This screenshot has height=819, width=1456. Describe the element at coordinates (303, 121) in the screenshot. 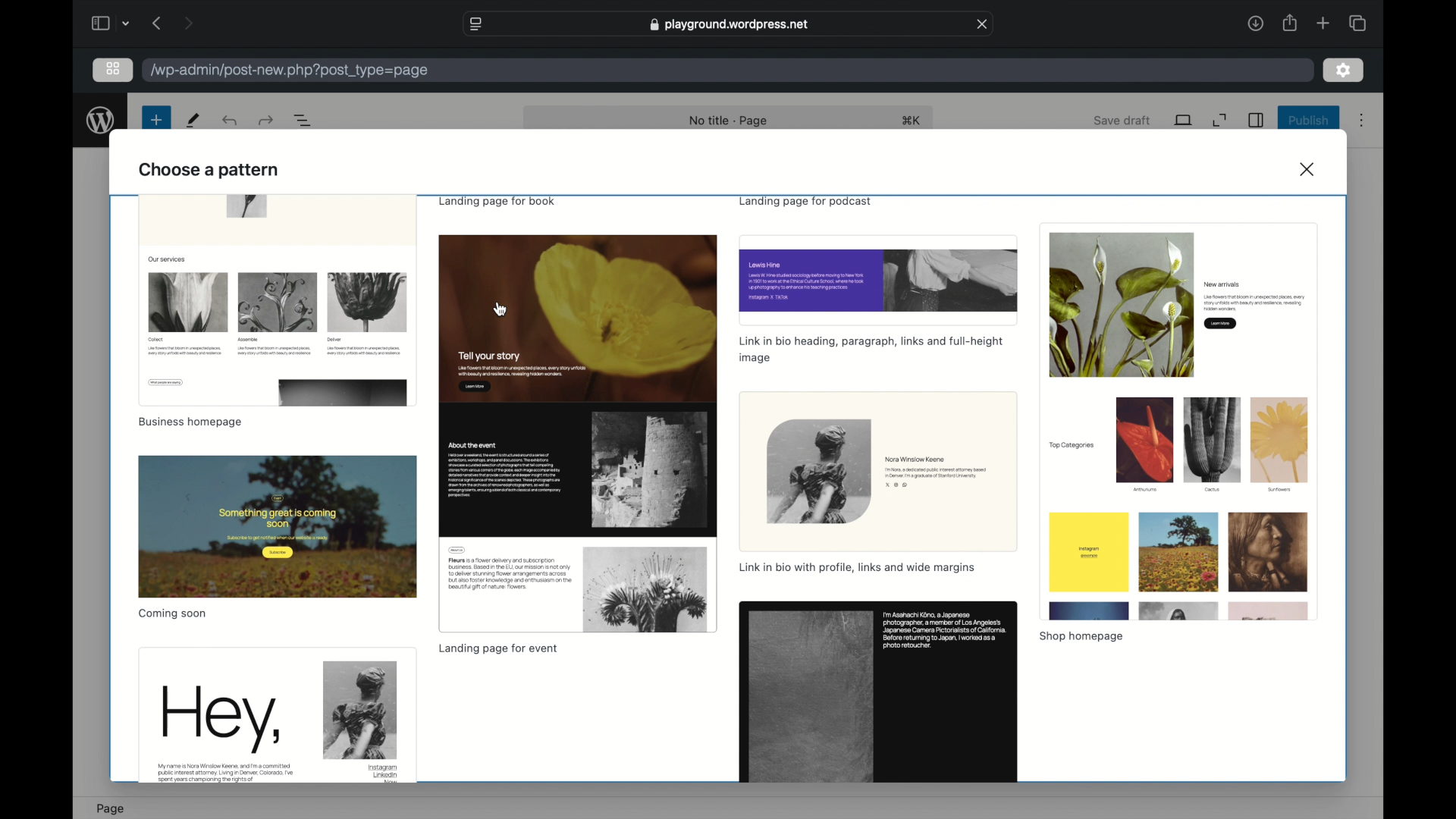

I see `document overview` at that location.